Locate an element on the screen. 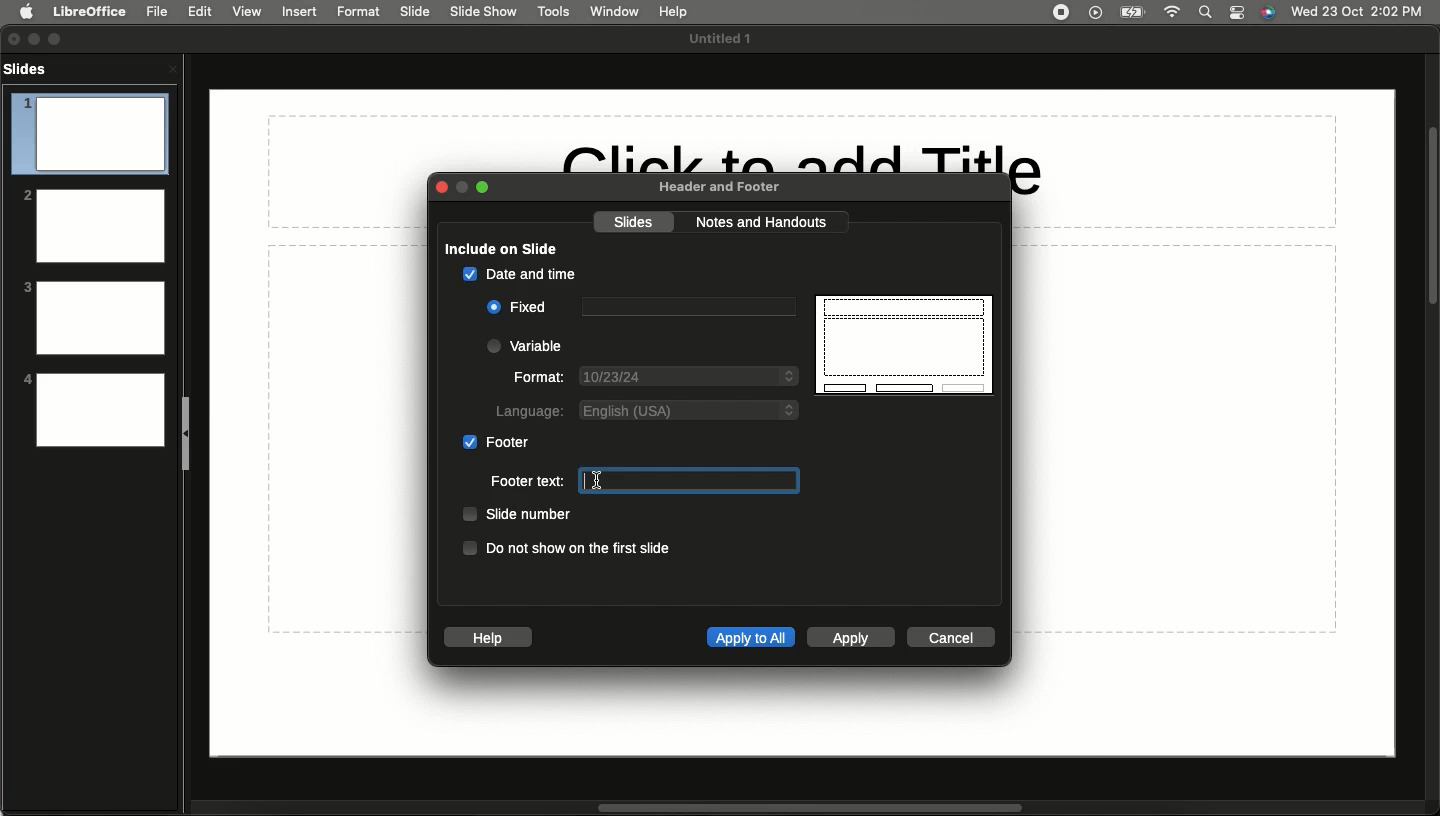 The width and height of the screenshot is (1440, 816). Scroll is located at coordinates (805, 808).